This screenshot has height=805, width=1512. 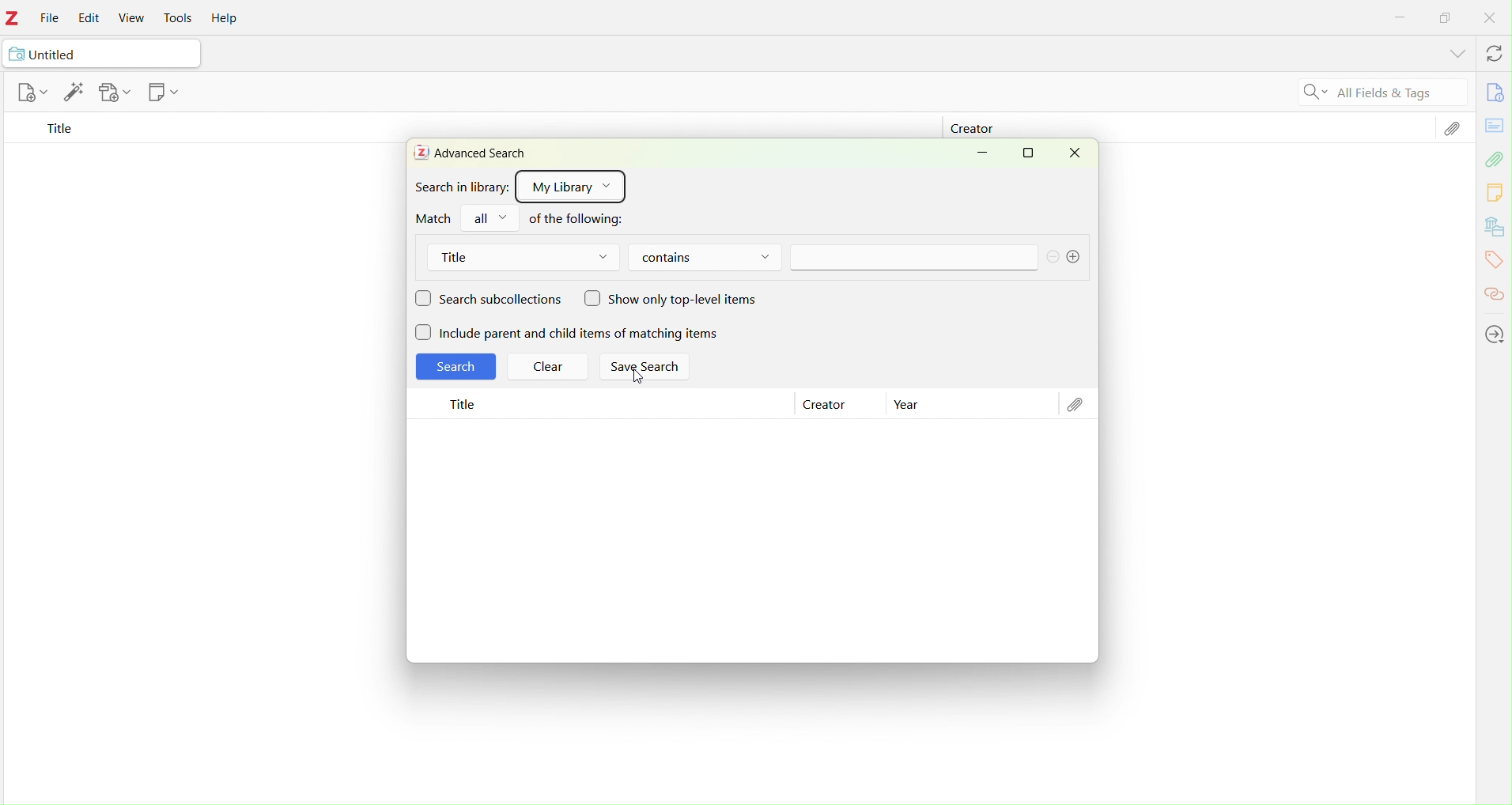 What do you see at coordinates (675, 300) in the screenshot?
I see `Show only top level items` at bounding box center [675, 300].